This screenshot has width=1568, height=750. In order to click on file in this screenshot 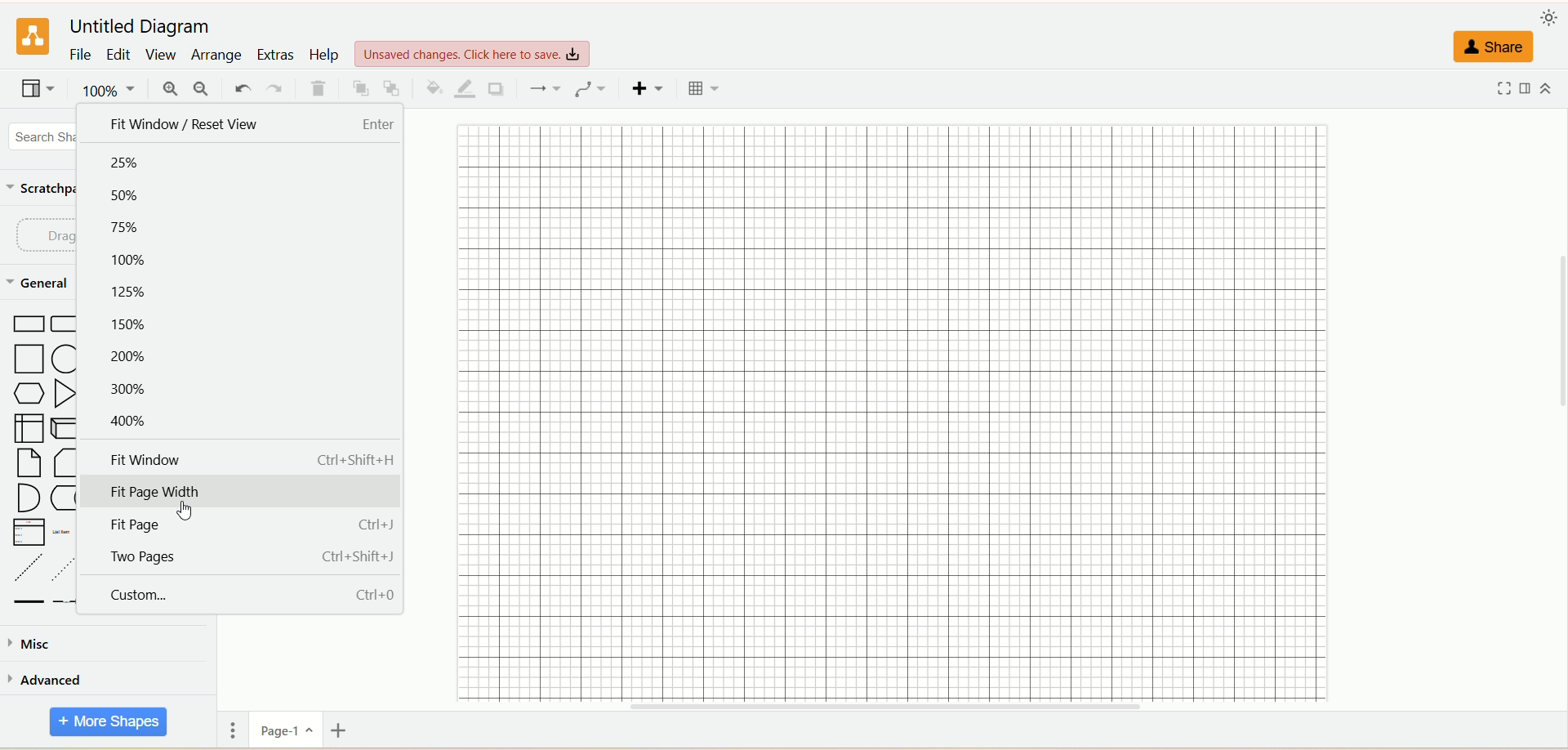, I will do `click(81, 56)`.